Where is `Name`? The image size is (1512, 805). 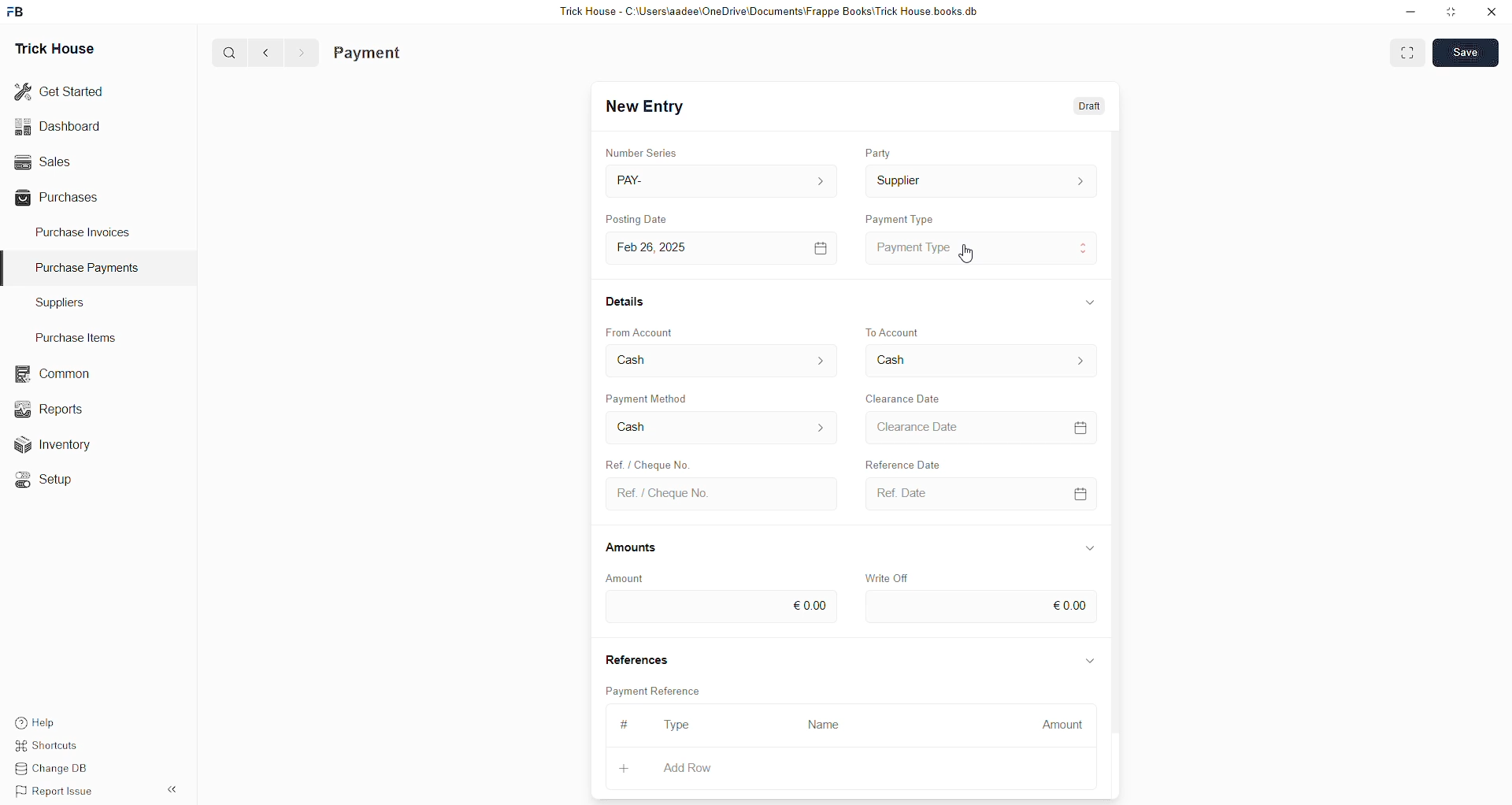
Name is located at coordinates (824, 725).